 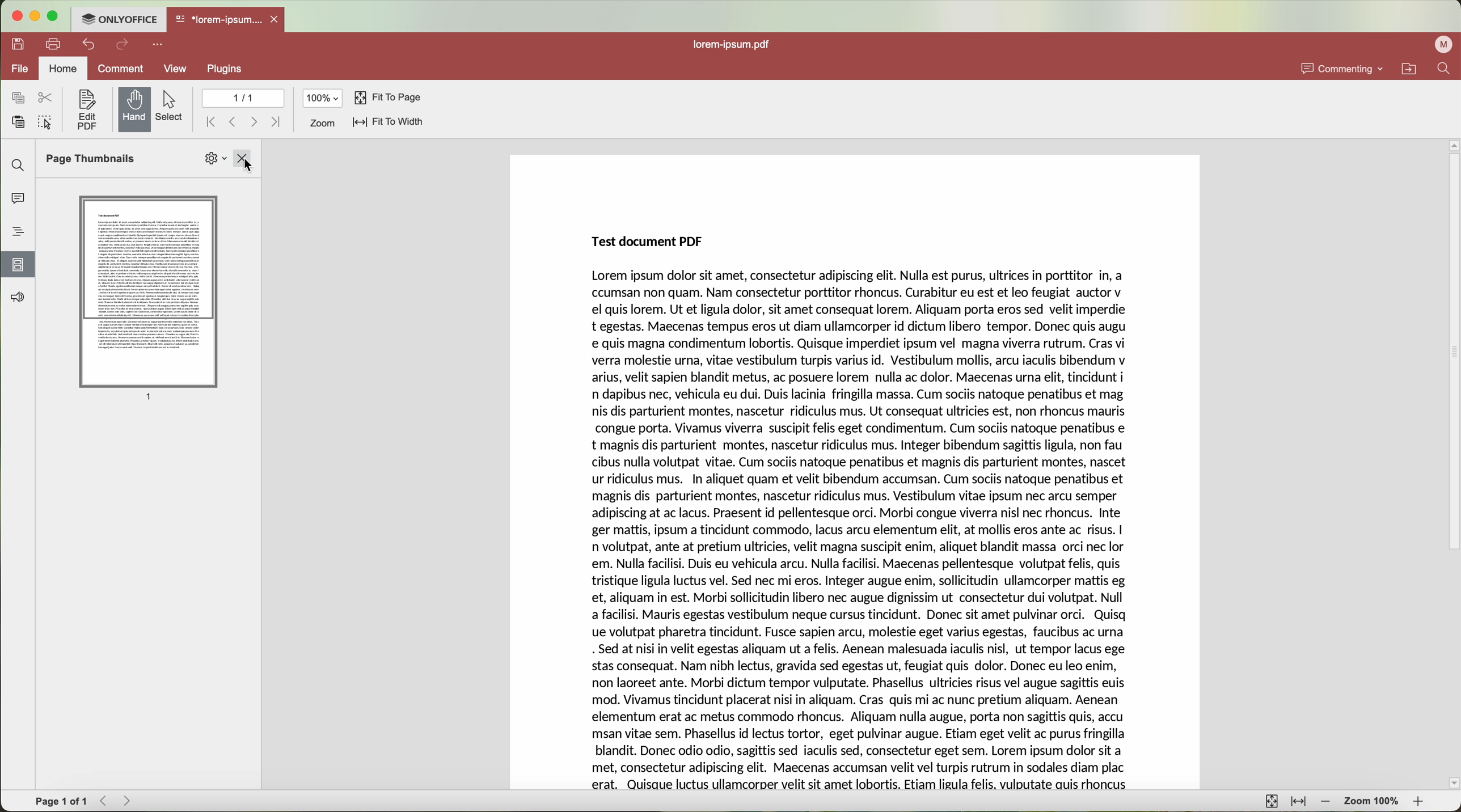 I want to click on lorem-ipsum.pdf, so click(x=734, y=44).